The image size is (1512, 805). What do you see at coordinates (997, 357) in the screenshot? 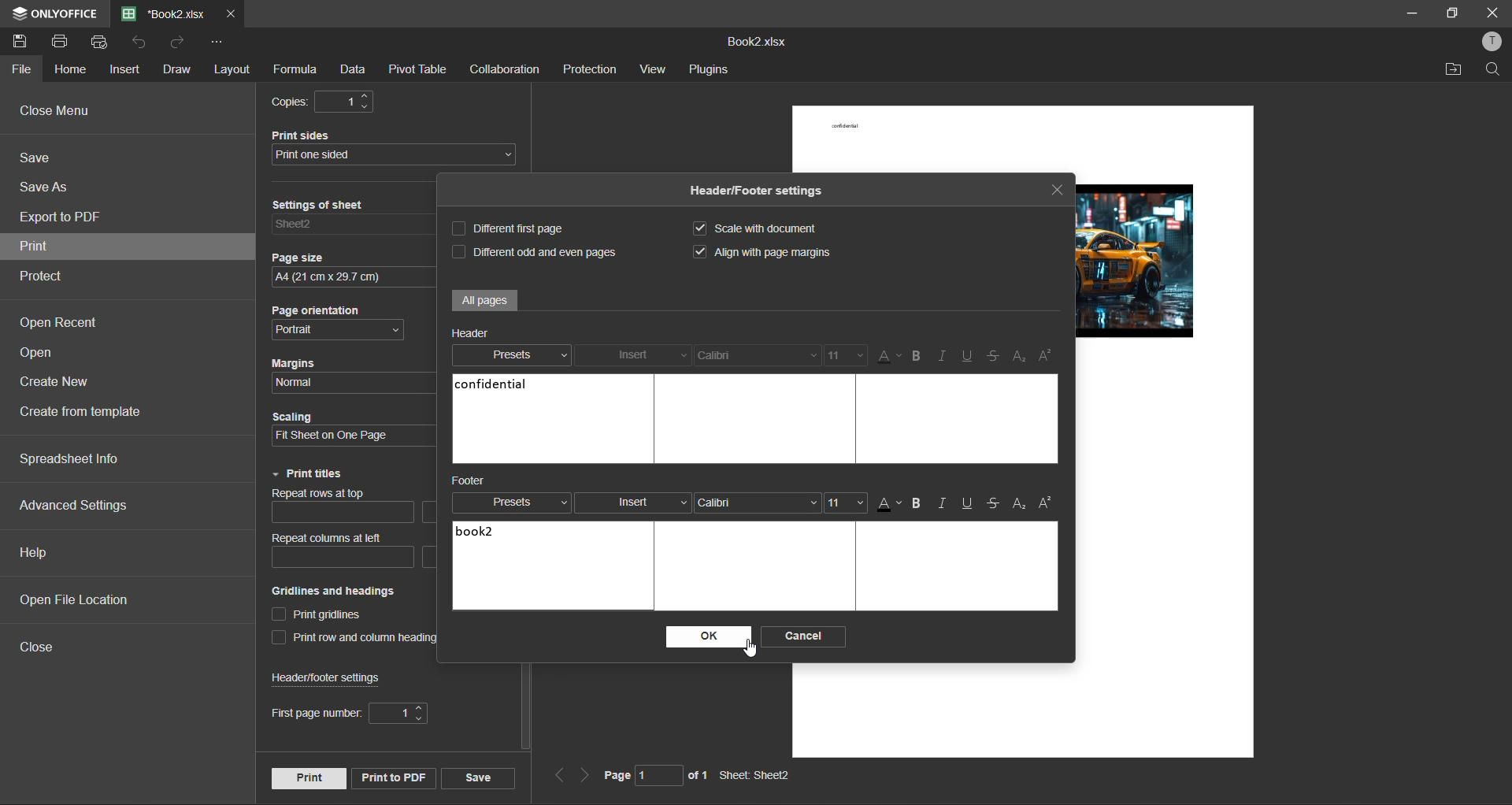
I see `strikethrough` at bounding box center [997, 357].